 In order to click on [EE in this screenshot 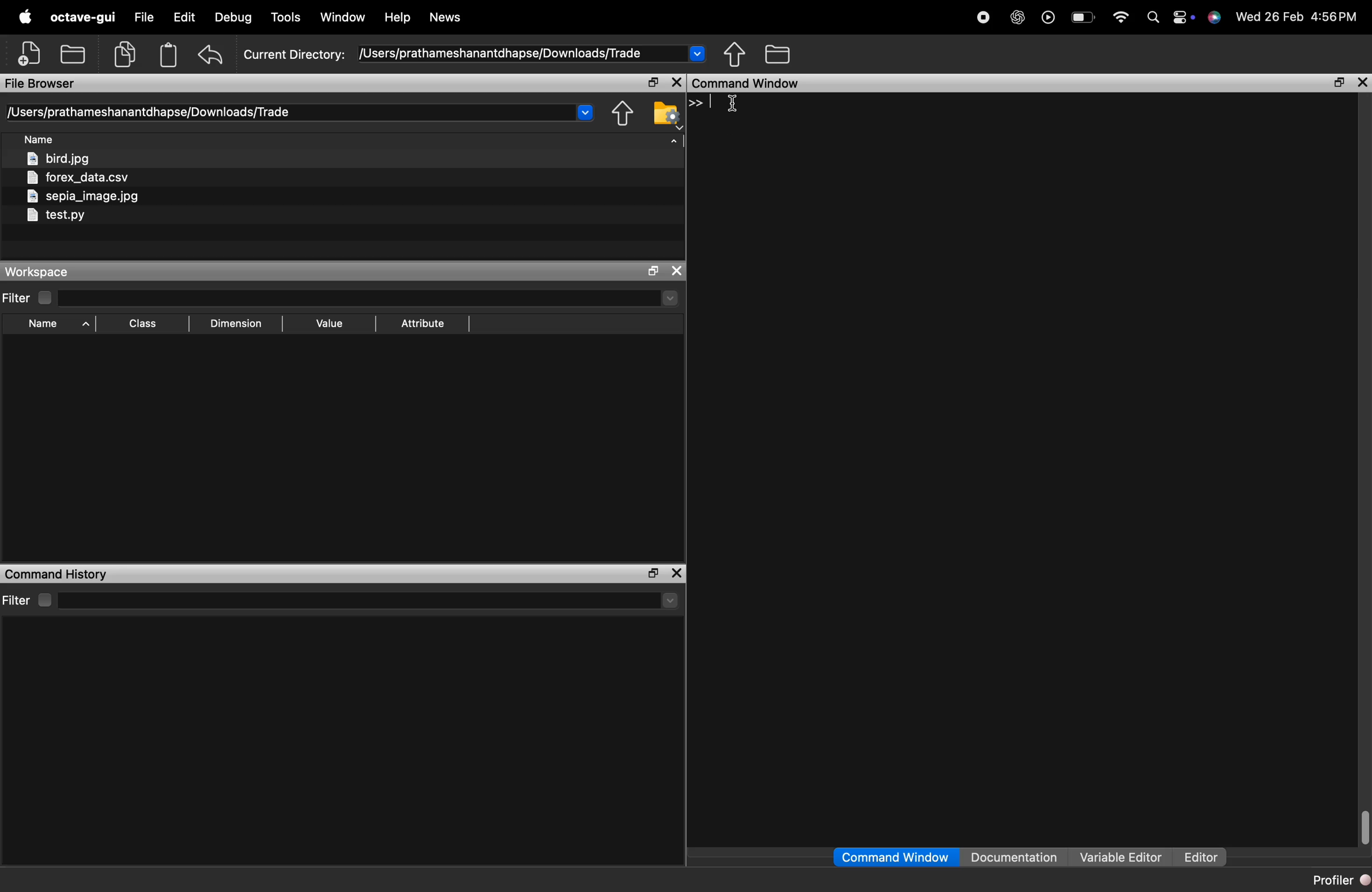, I will do `click(142, 323)`.